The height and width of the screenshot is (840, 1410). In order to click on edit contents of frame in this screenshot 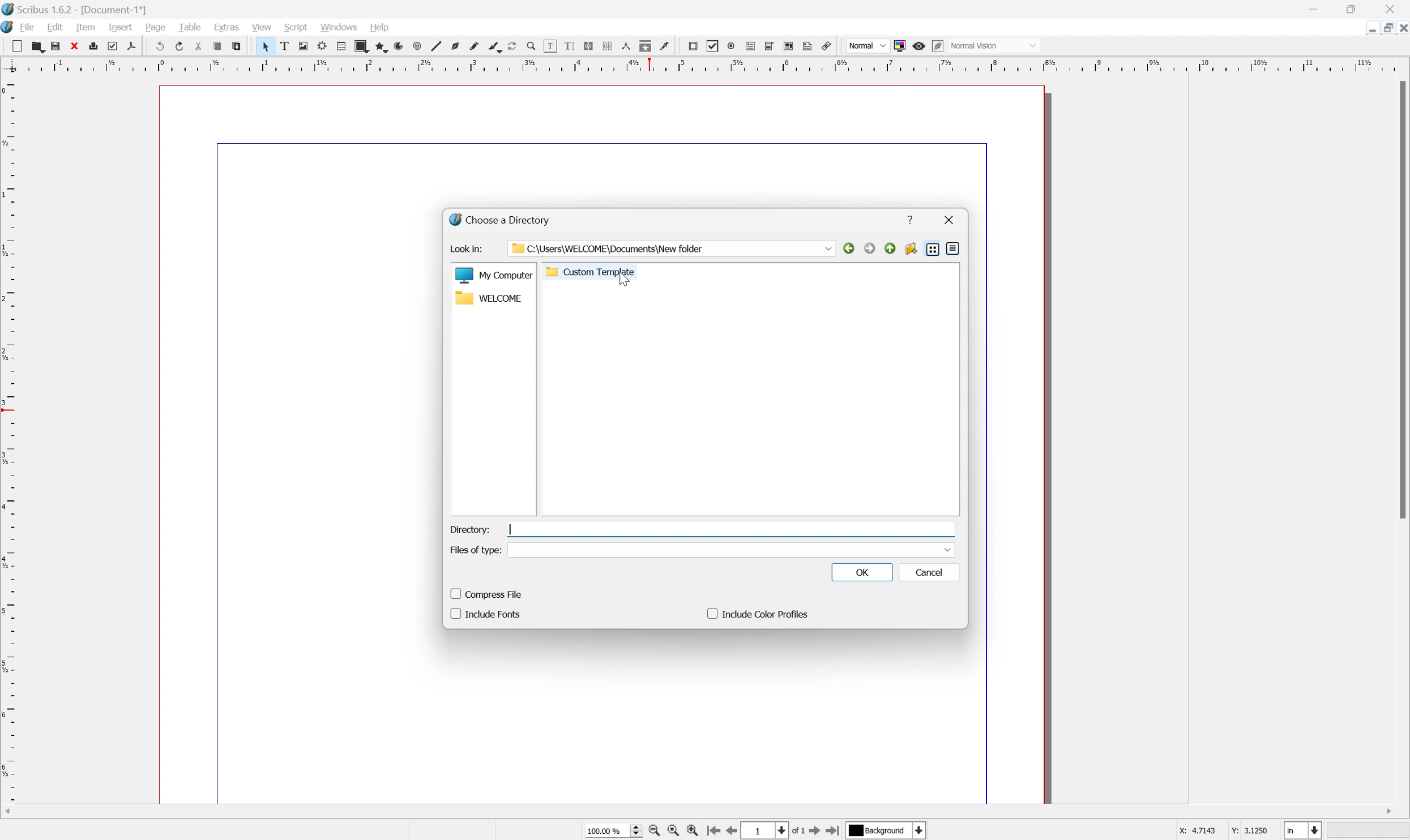, I will do `click(549, 48)`.